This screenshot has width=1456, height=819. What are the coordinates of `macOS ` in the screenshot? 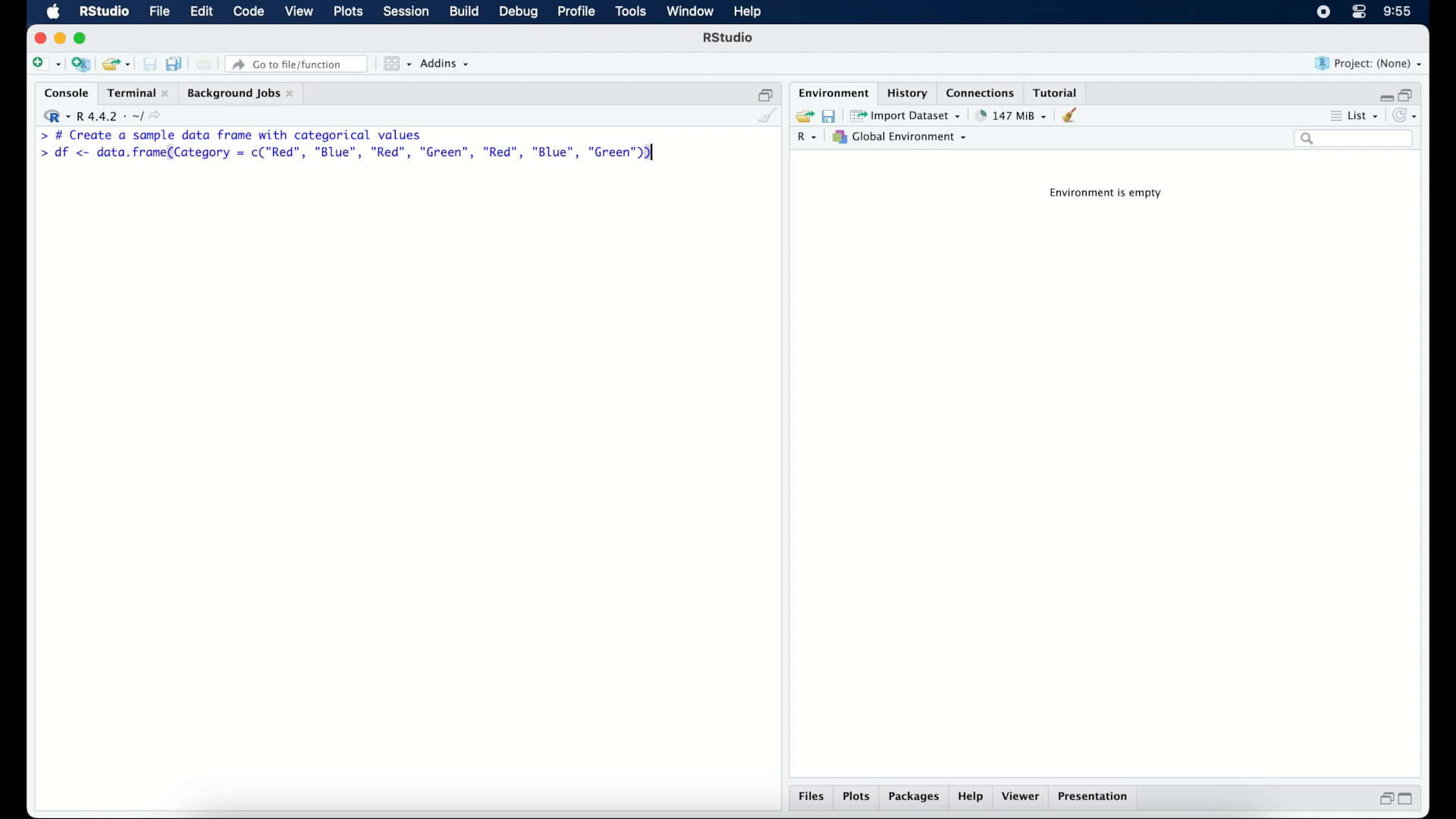 It's located at (53, 12).